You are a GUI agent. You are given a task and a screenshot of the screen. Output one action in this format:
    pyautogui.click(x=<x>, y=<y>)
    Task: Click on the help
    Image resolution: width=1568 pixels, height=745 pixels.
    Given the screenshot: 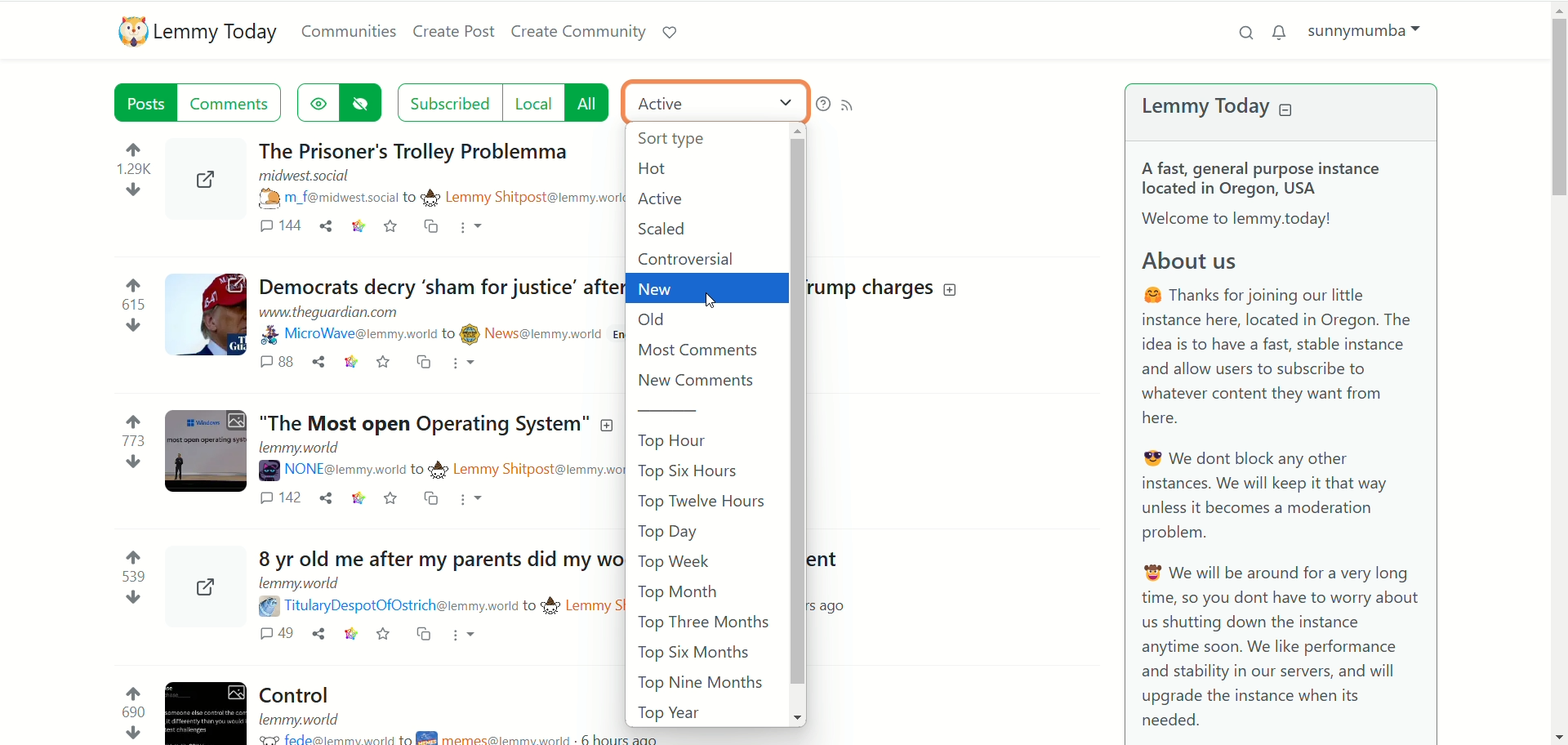 What is the action you would take?
    pyautogui.click(x=820, y=104)
    